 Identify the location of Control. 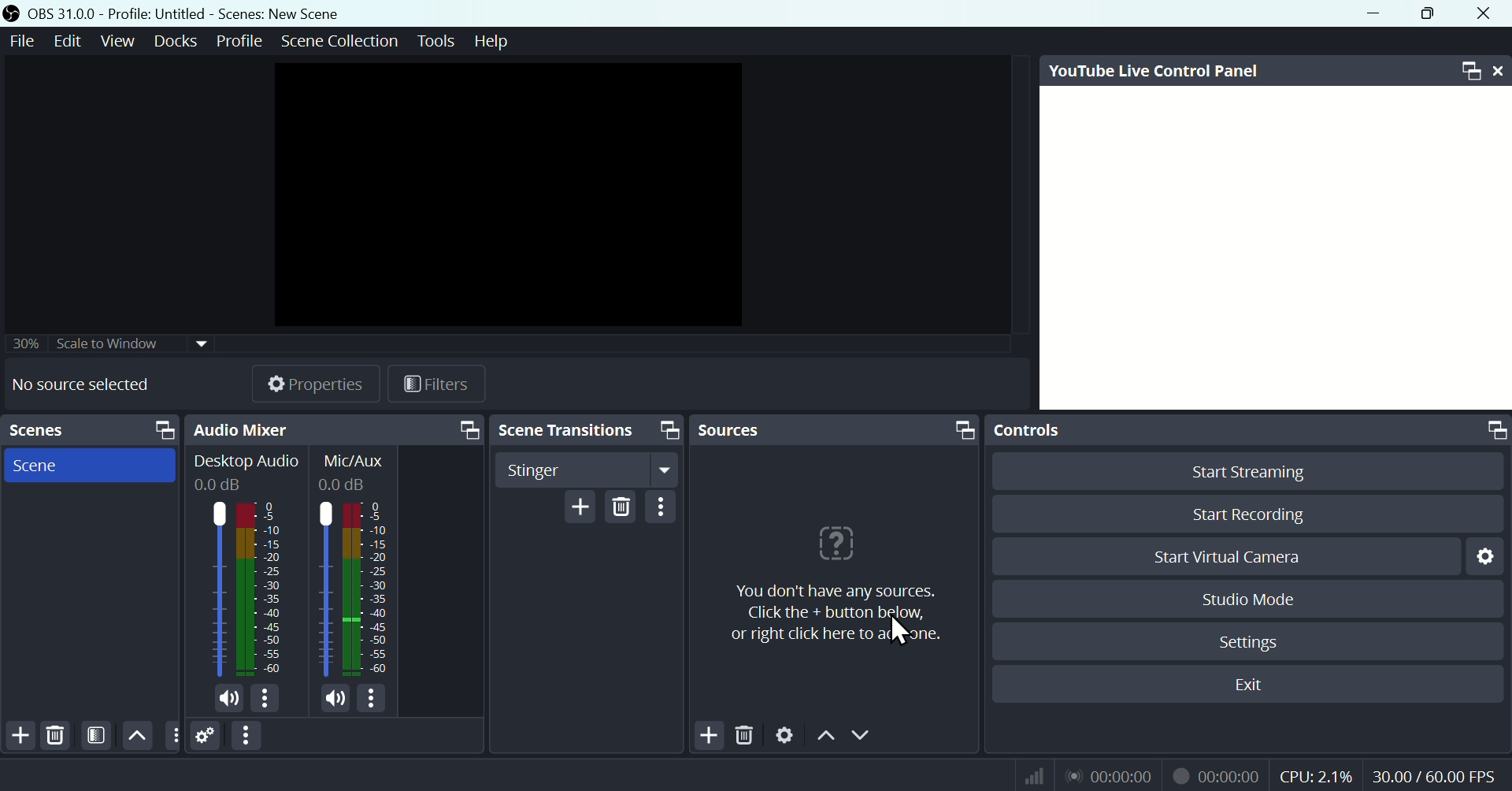
(1038, 431).